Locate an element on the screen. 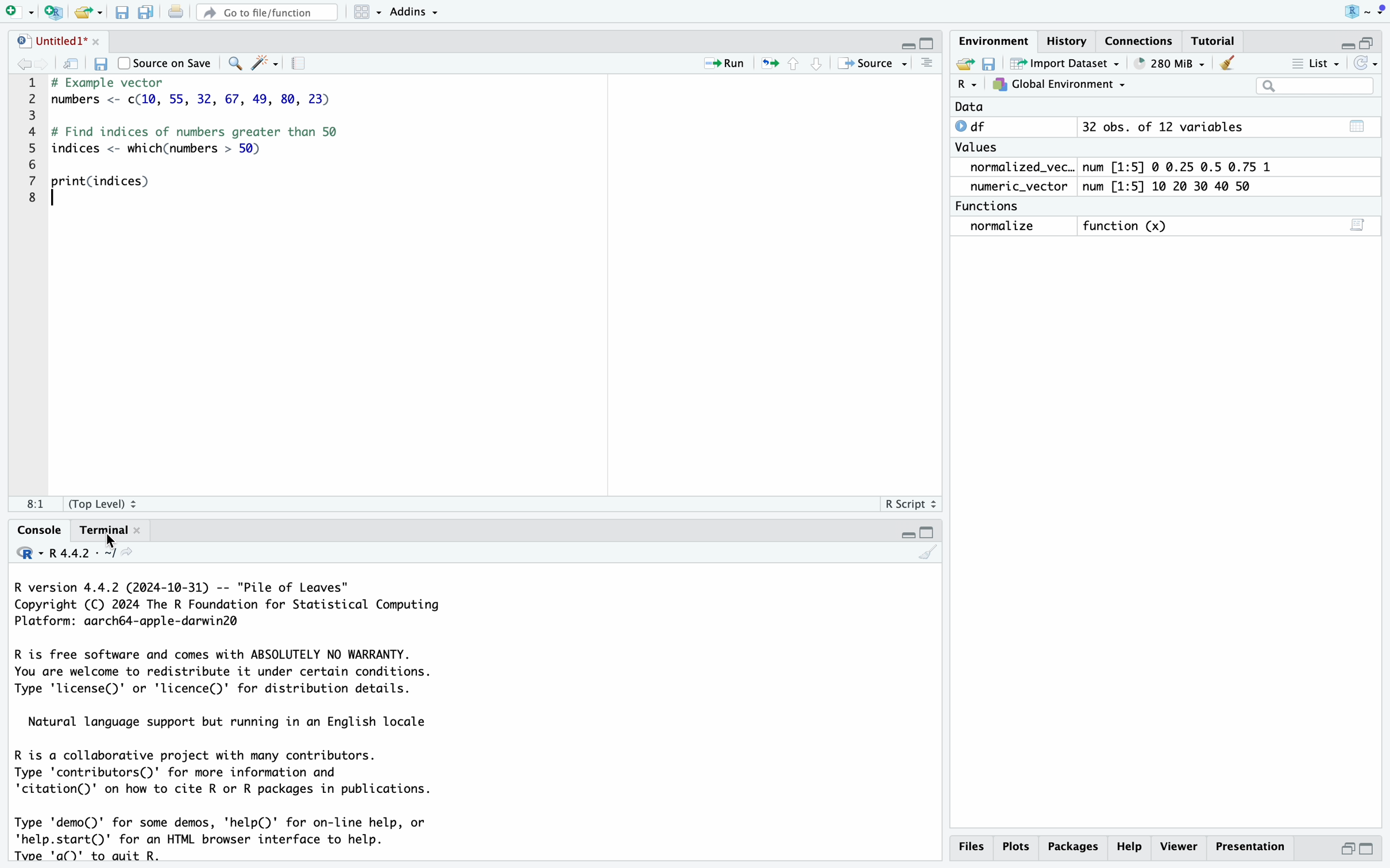 Image resolution: width=1390 pixels, height=868 pixels. MAXIMISE is located at coordinates (928, 44).